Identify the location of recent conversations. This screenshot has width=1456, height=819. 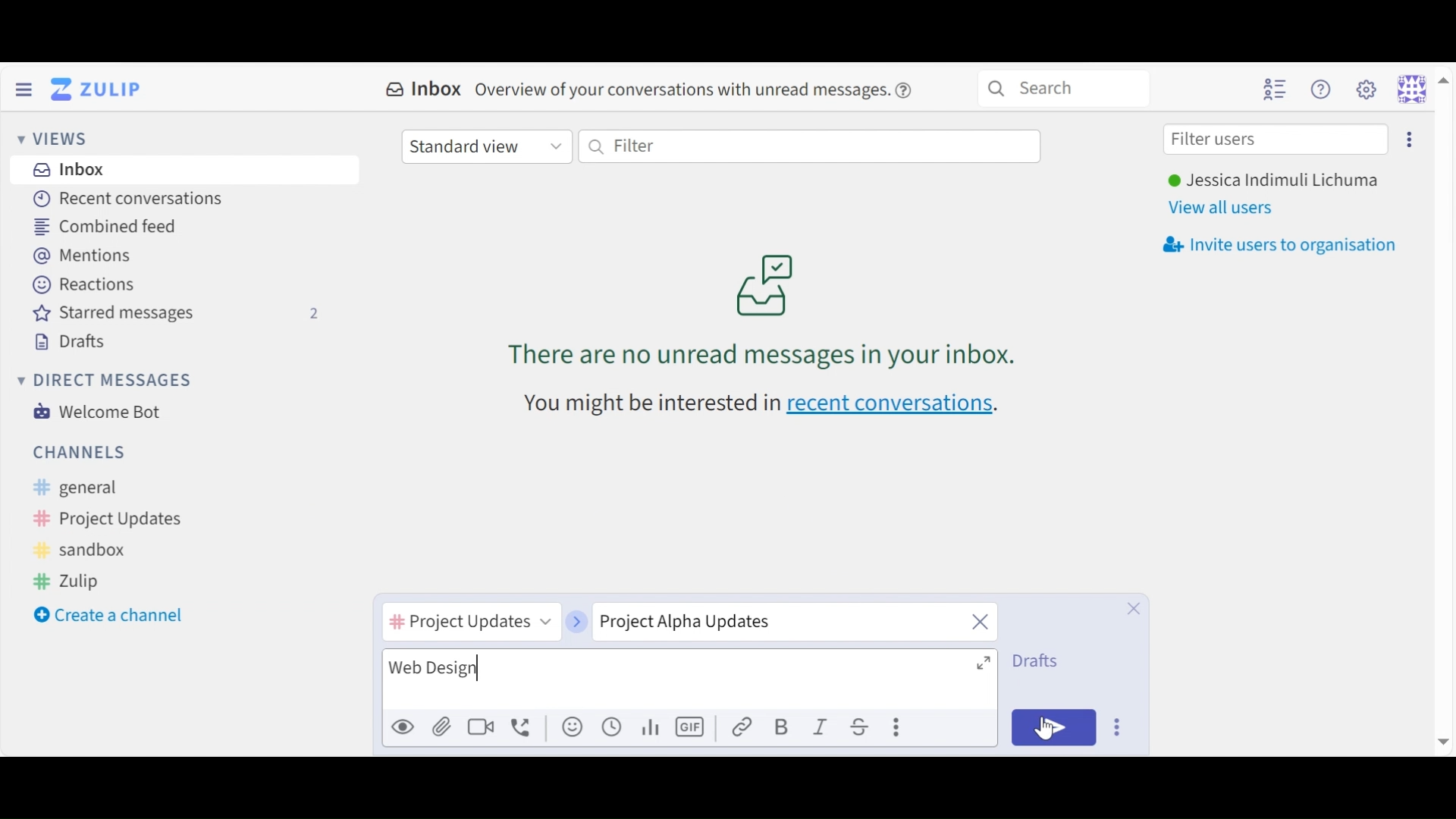
(893, 405).